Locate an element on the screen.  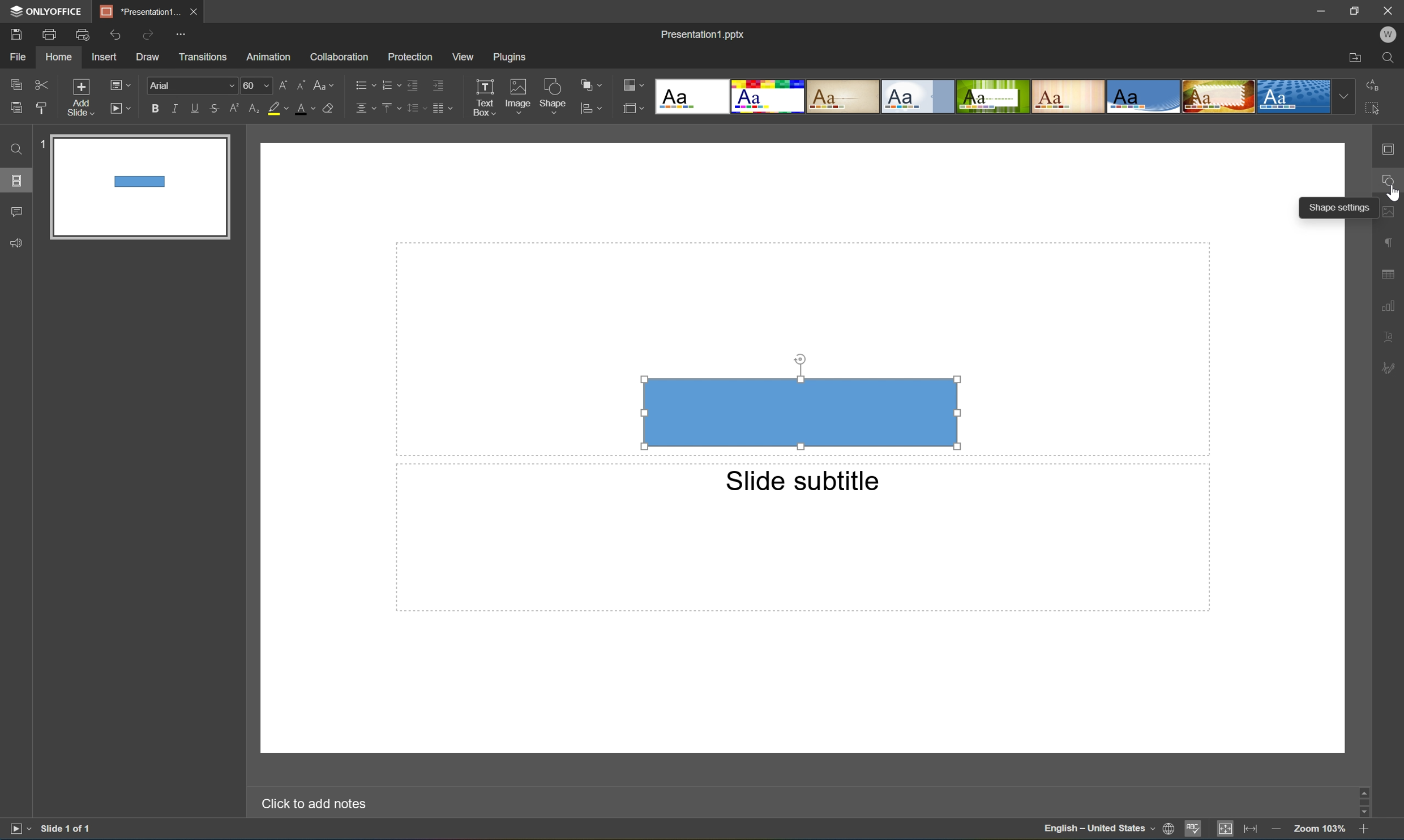
Undo is located at coordinates (116, 34).